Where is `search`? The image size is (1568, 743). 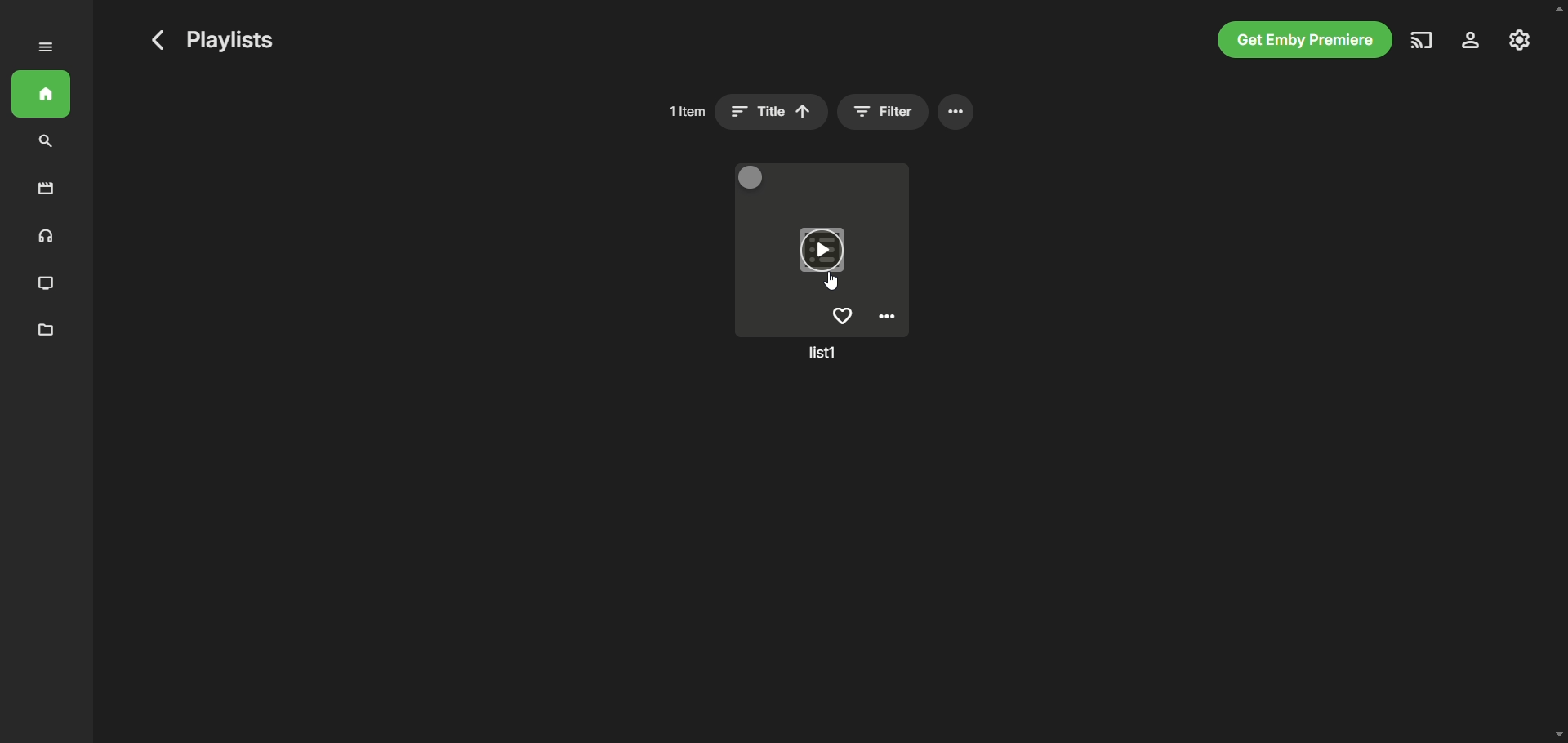 search is located at coordinates (46, 142).